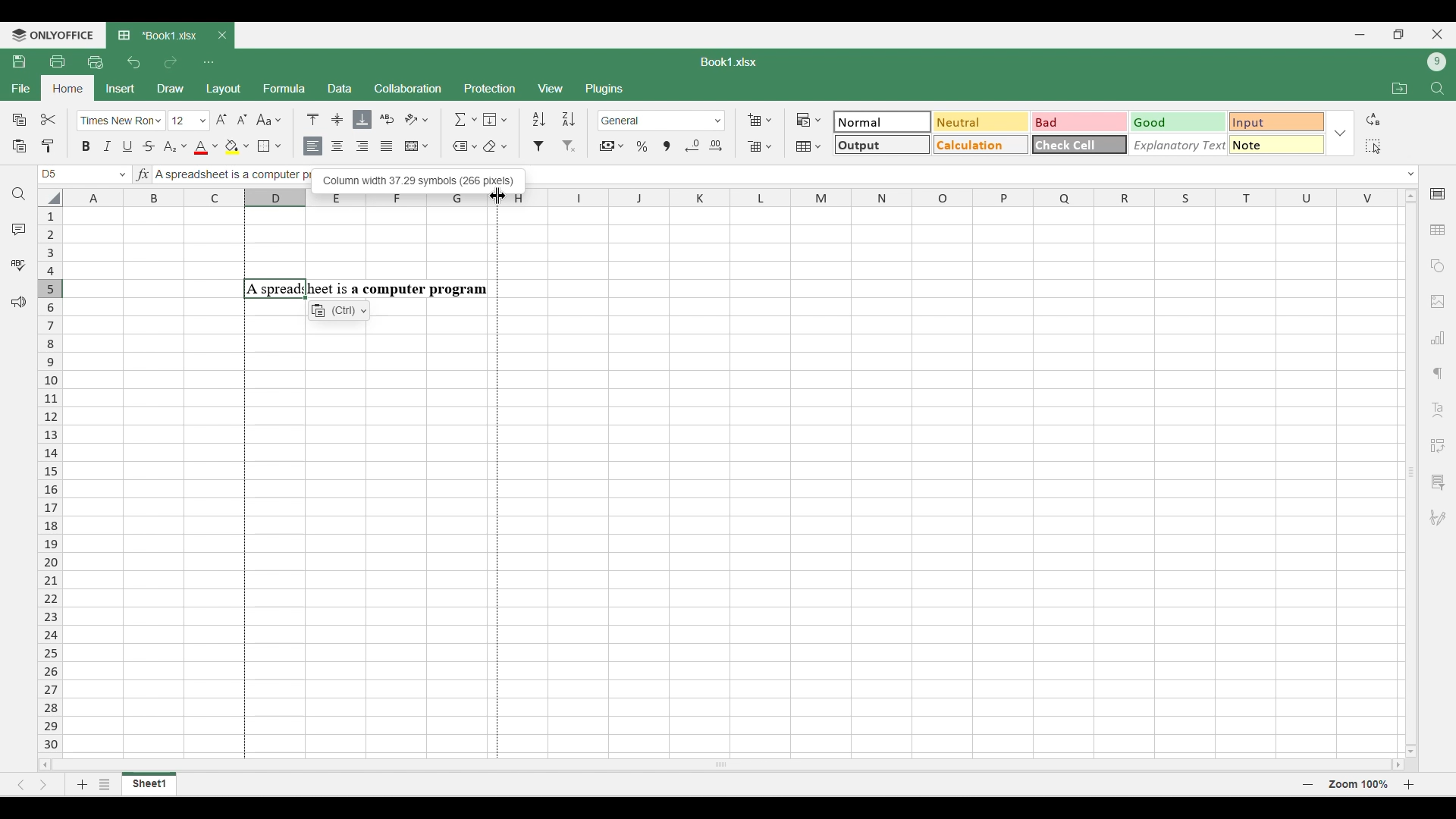 Image resolution: width=1456 pixels, height=819 pixels. What do you see at coordinates (86, 146) in the screenshot?
I see `Bold` at bounding box center [86, 146].